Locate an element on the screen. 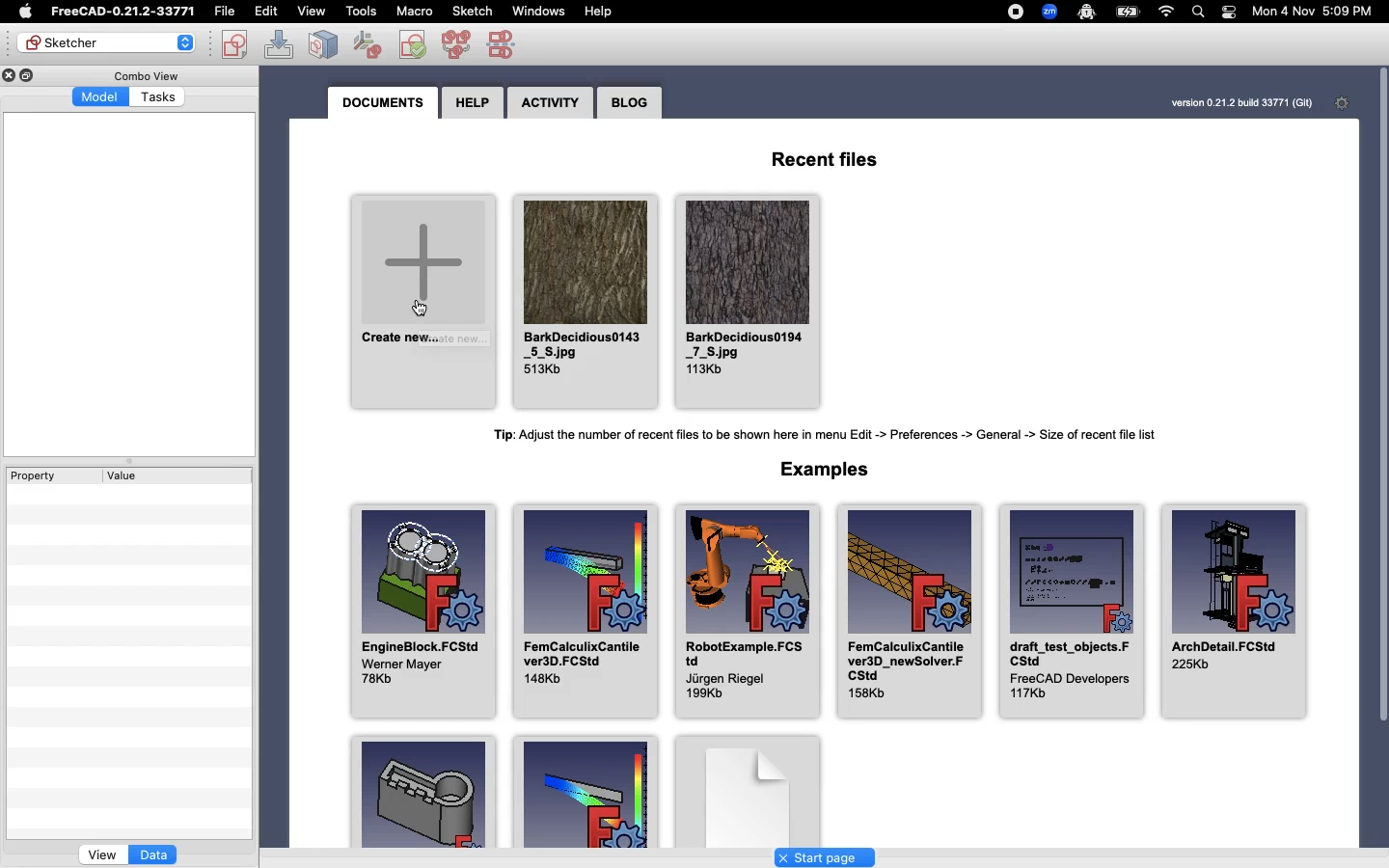  Blog is located at coordinates (630, 101).